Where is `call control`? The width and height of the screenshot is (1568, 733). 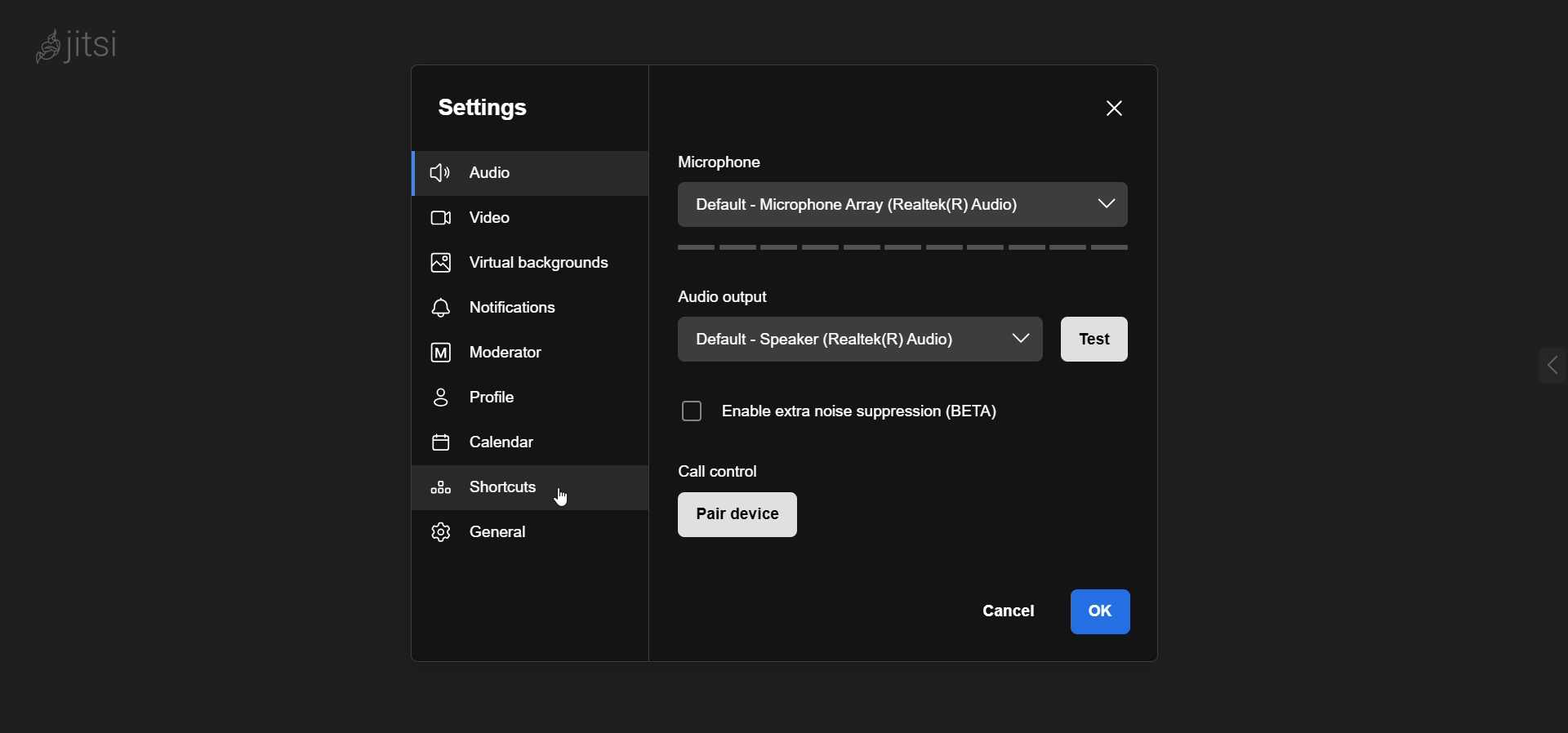
call control is located at coordinates (734, 468).